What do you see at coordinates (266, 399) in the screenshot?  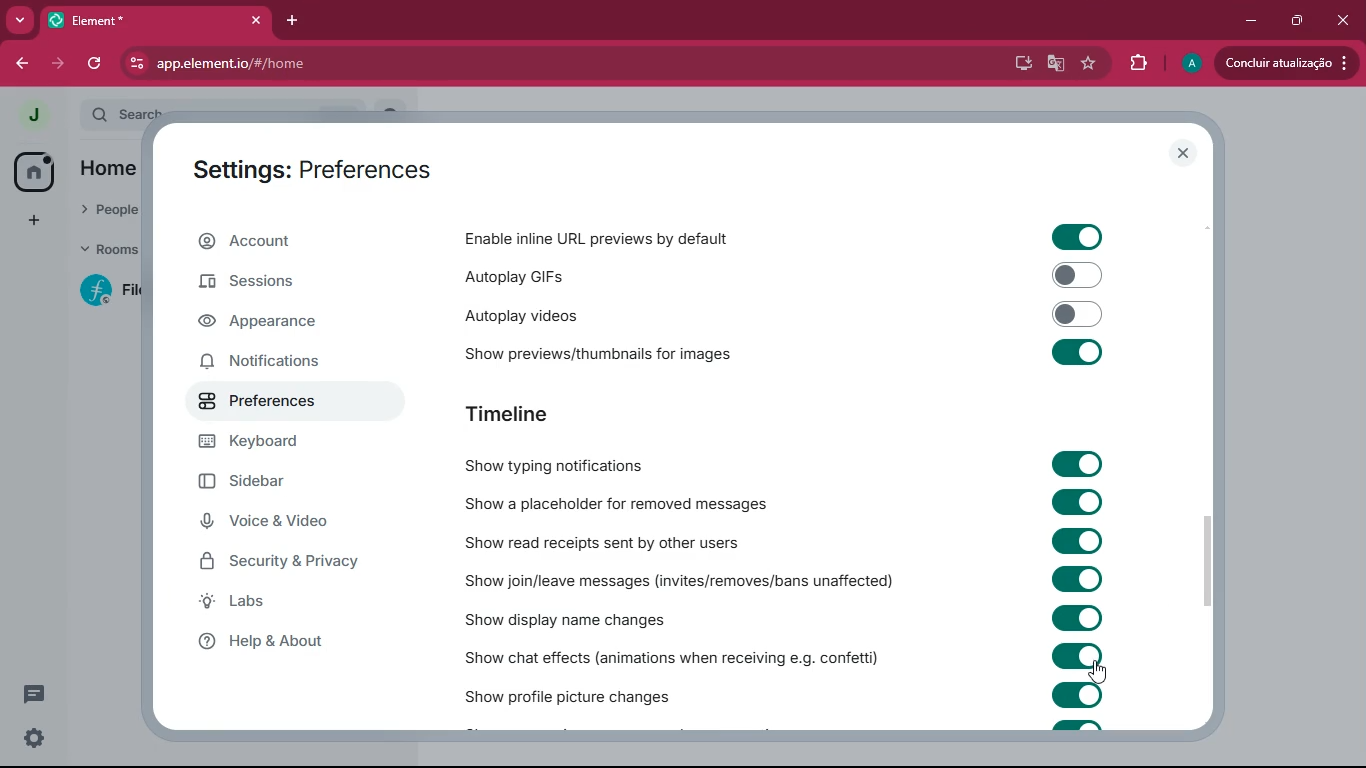 I see `preferences` at bounding box center [266, 399].